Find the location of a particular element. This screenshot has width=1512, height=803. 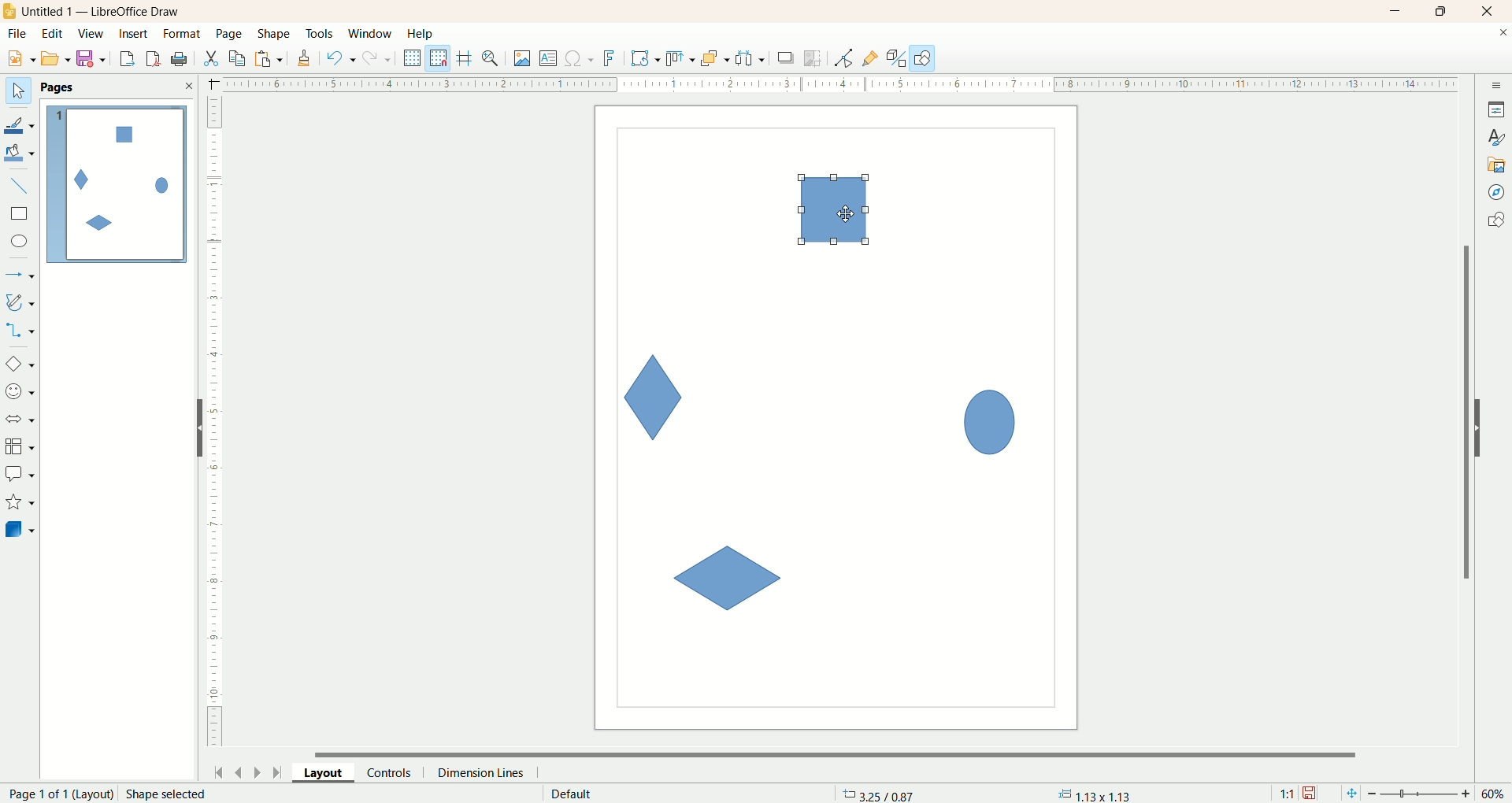

navigator is located at coordinates (1497, 193).